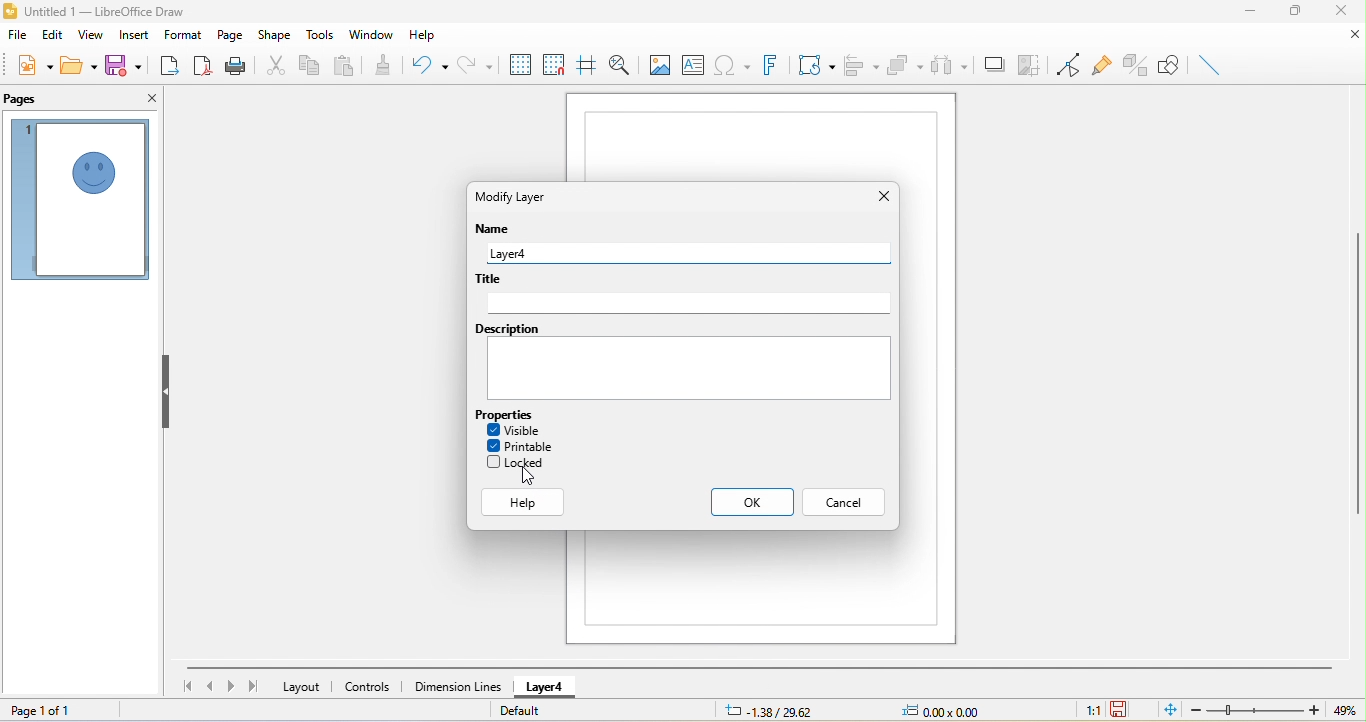 The height and width of the screenshot is (722, 1366). Describe the element at coordinates (659, 64) in the screenshot. I see `image` at that location.